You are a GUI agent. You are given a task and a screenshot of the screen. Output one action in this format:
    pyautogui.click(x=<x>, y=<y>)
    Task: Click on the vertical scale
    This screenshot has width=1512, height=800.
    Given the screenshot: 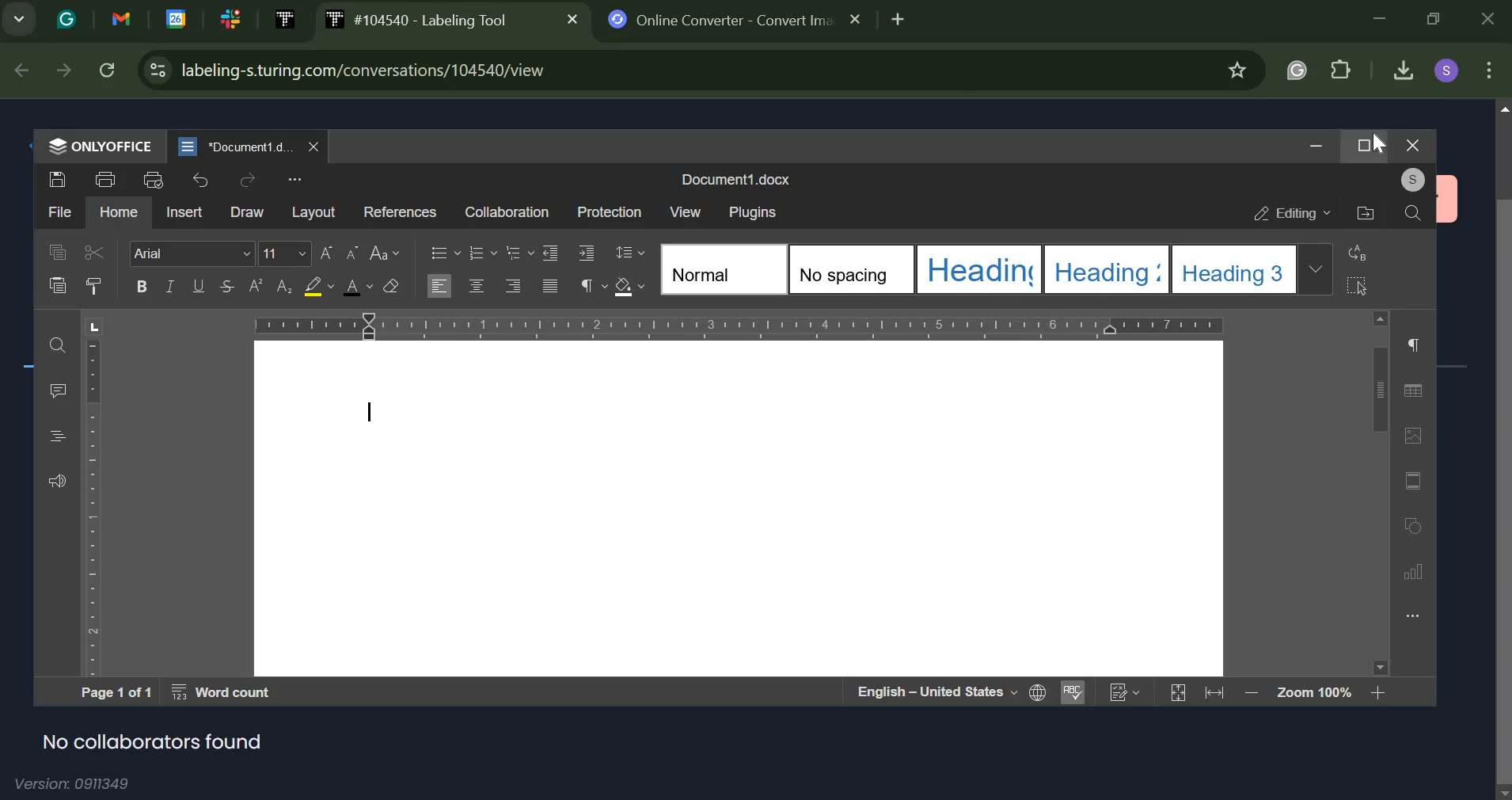 What is the action you would take?
    pyautogui.click(x=95, y=496)
    